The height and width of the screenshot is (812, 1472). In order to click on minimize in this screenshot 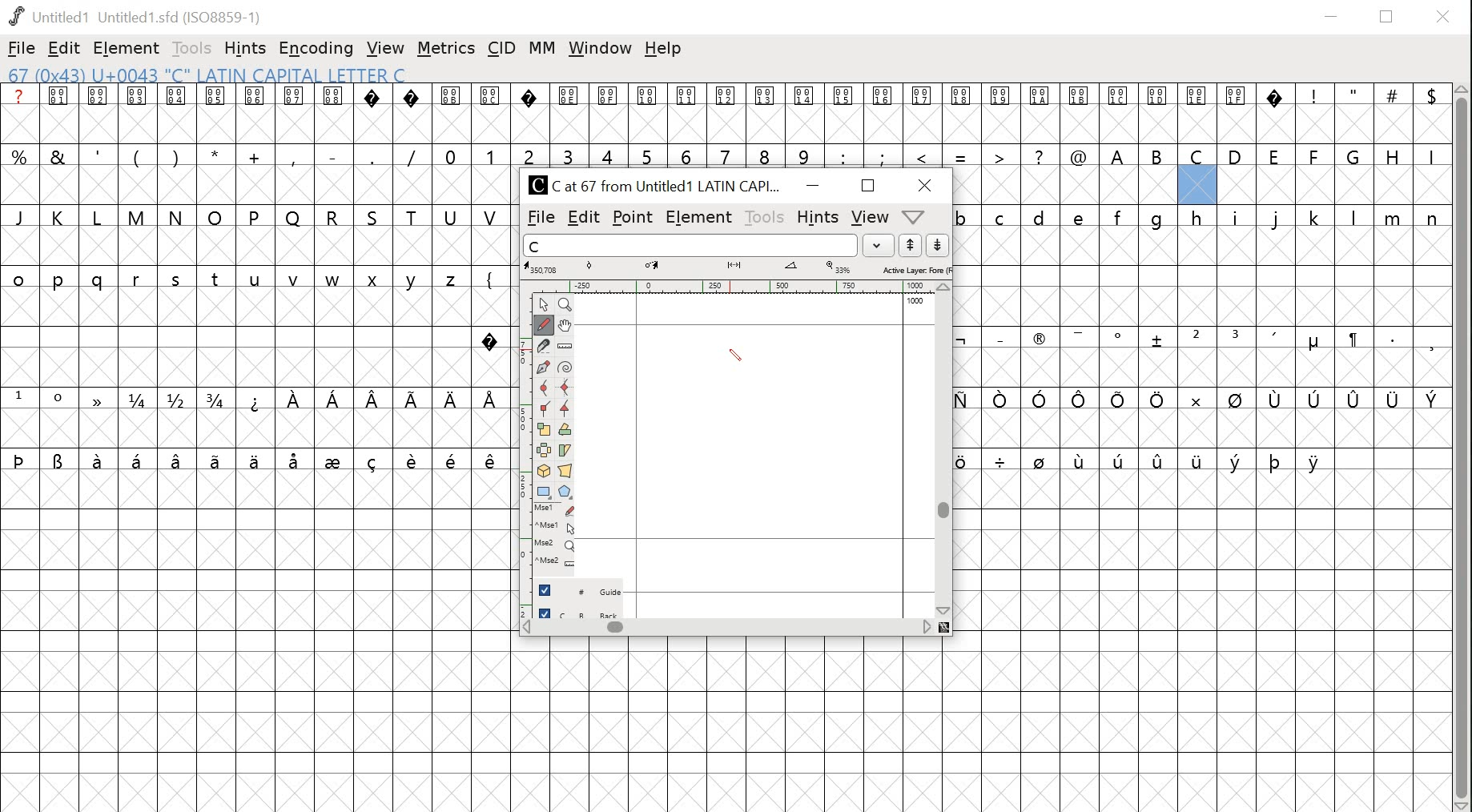, I will do `click(1333, 14)`.